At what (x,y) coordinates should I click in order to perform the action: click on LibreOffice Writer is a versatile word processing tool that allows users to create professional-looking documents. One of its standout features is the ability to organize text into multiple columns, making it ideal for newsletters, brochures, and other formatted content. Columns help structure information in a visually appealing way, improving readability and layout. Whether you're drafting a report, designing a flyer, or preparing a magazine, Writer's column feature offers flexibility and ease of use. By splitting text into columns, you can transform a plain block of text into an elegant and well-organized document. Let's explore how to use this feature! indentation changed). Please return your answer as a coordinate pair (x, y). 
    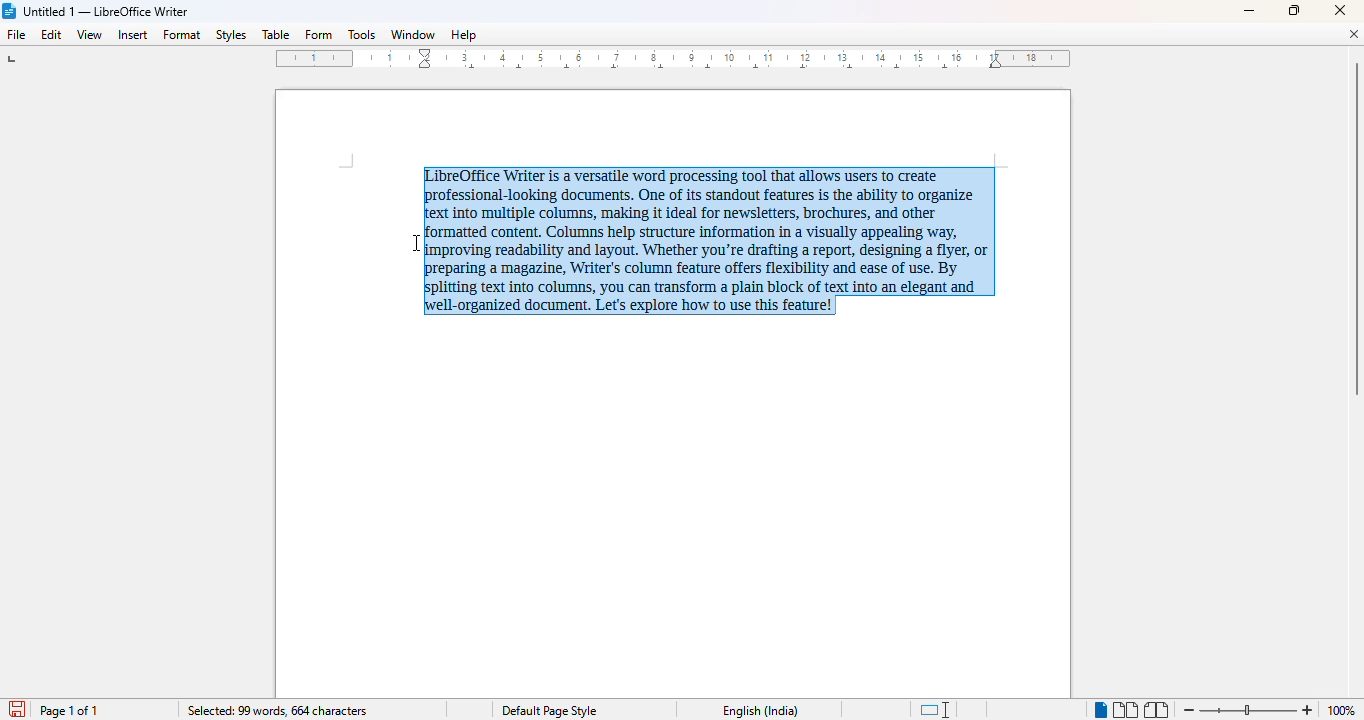
    Looking at the image, I should click on (719, 242).